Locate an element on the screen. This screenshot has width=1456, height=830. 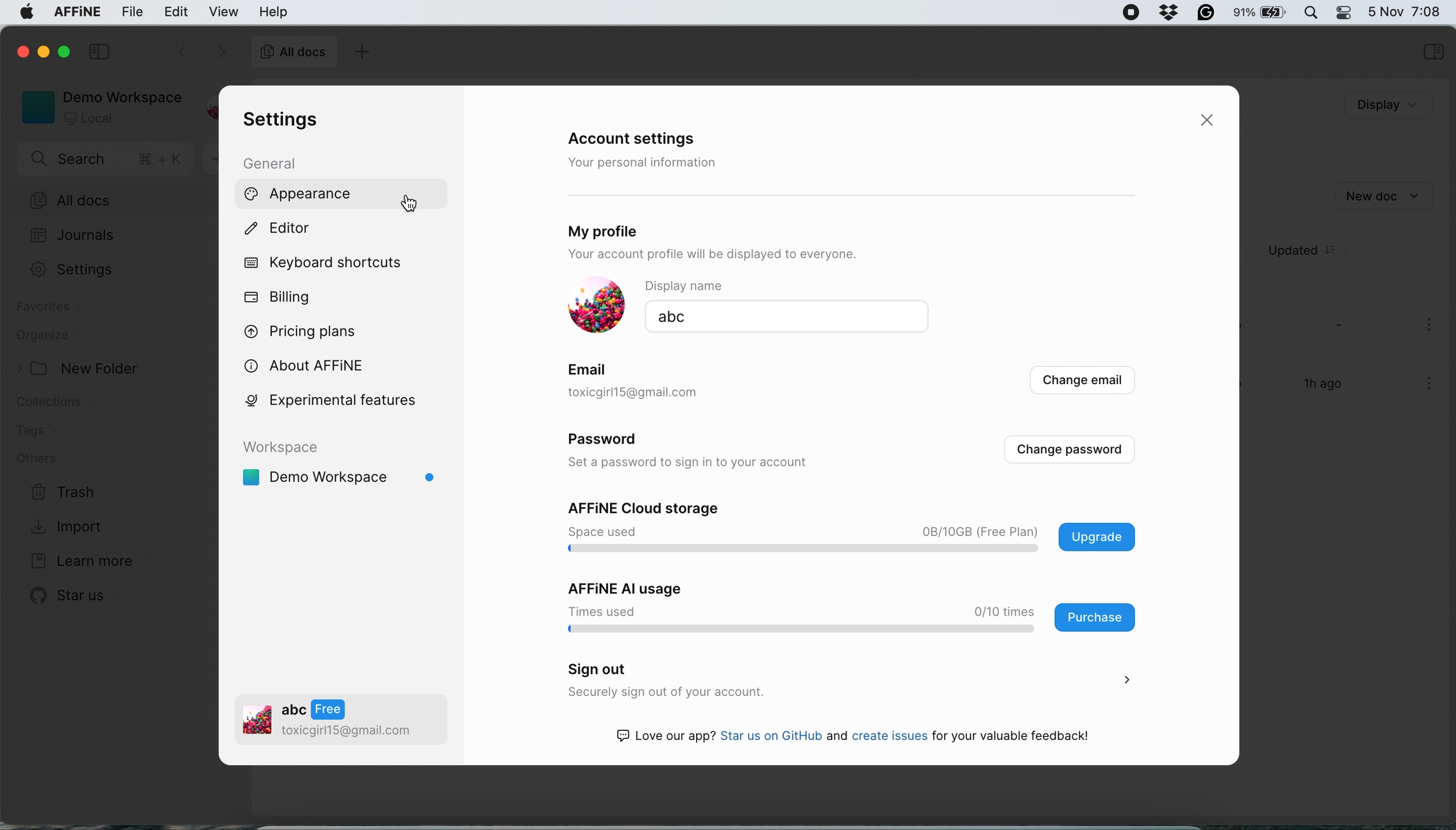
close is located at coordinates (1208, 122).